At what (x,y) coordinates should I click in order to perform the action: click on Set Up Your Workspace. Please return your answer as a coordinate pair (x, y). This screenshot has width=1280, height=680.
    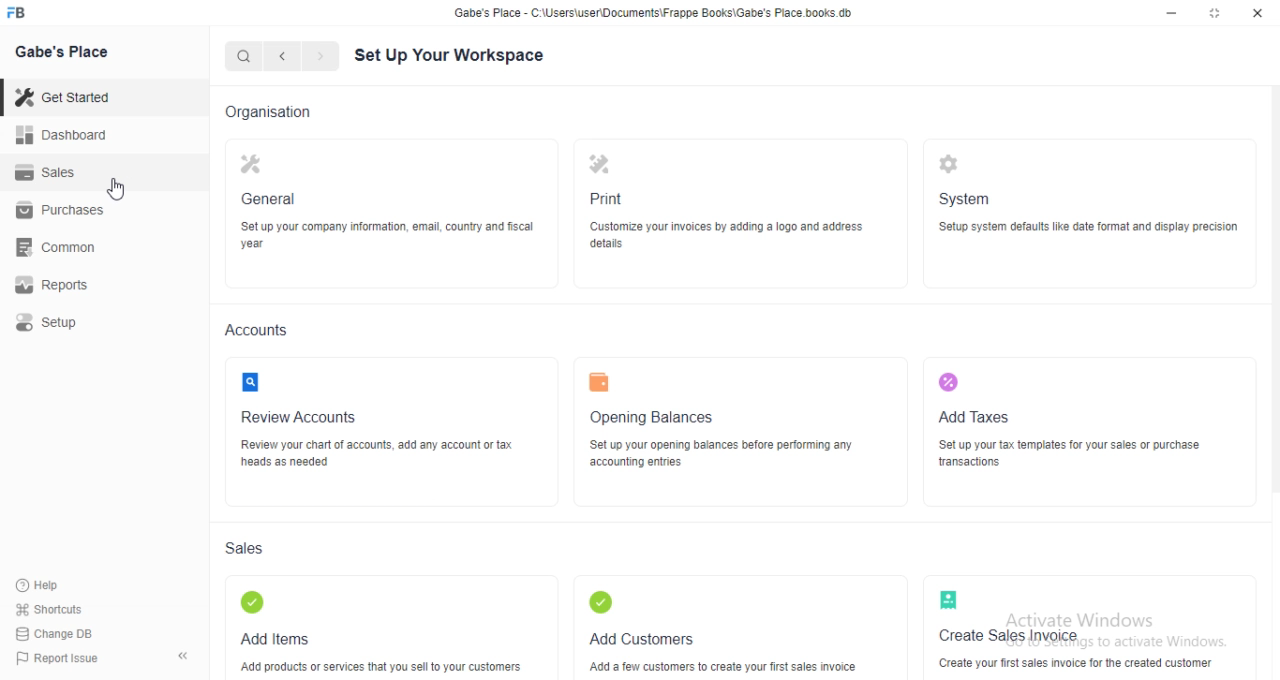
    Looking at the image, I should click on (451, 56).